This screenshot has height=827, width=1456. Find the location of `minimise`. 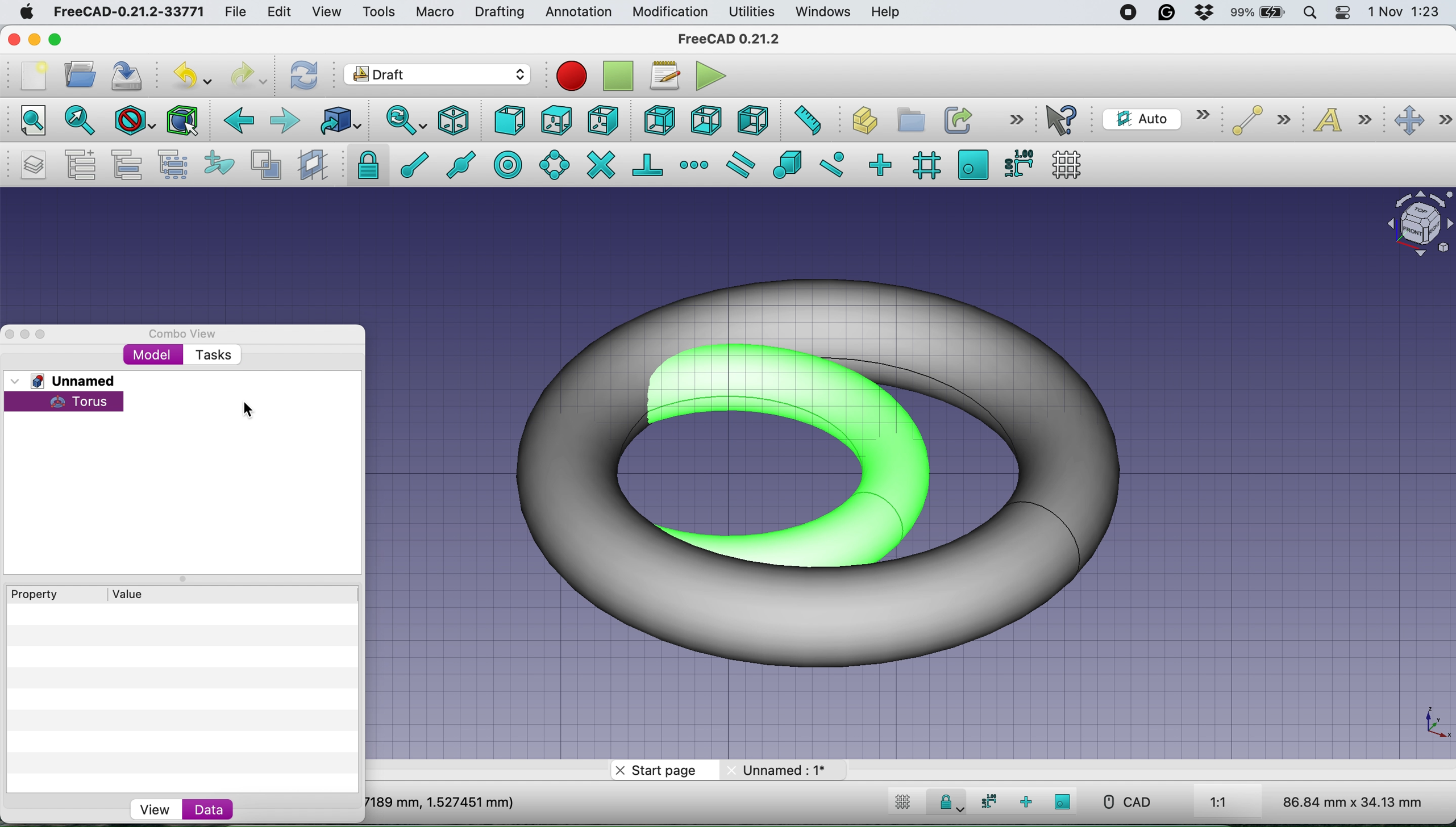

minimise is located at coordinates (34, 36).